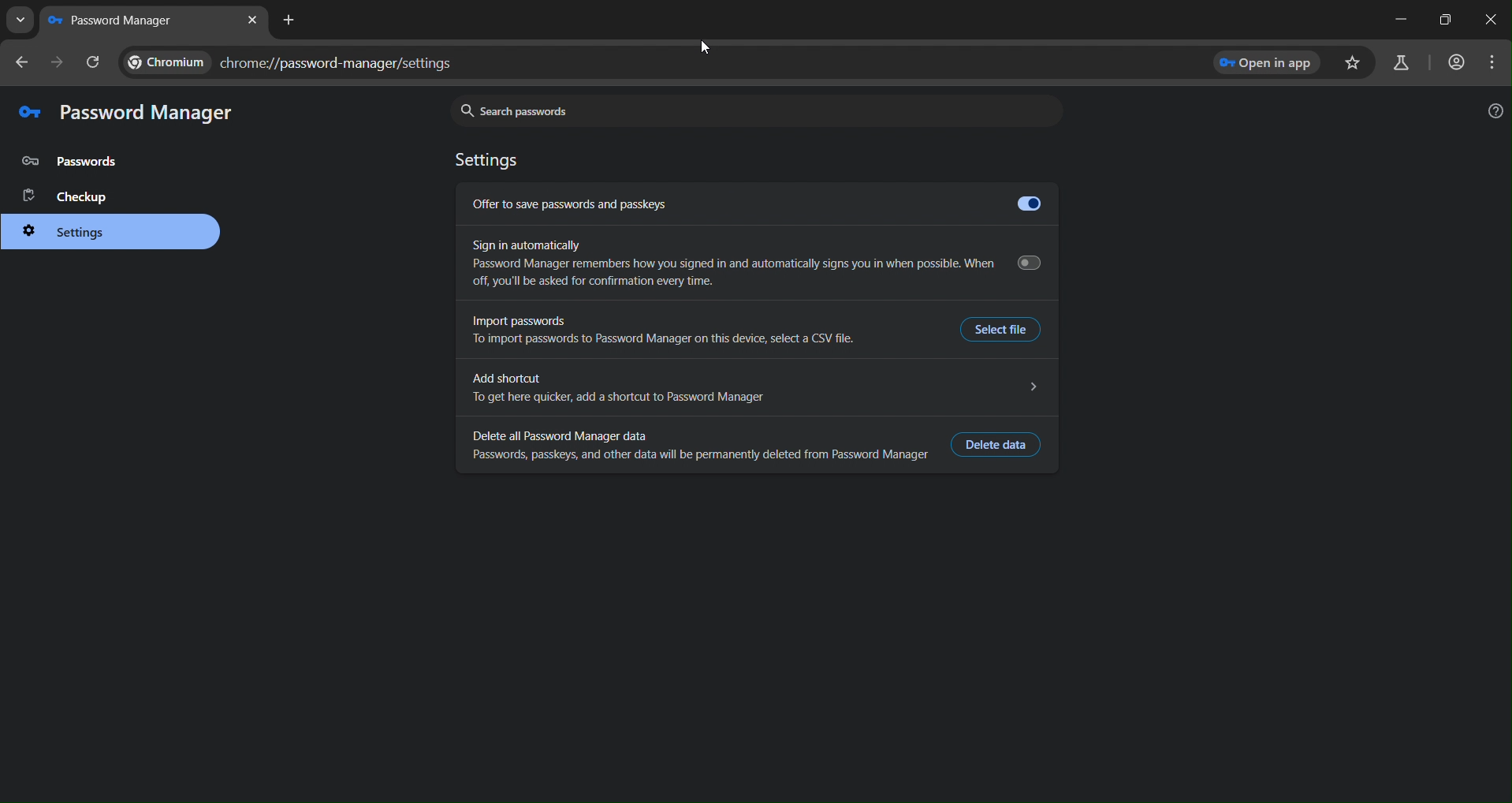 This screenshot has height=803, width=1512. I want to click on search labs, so click(1404, 62).